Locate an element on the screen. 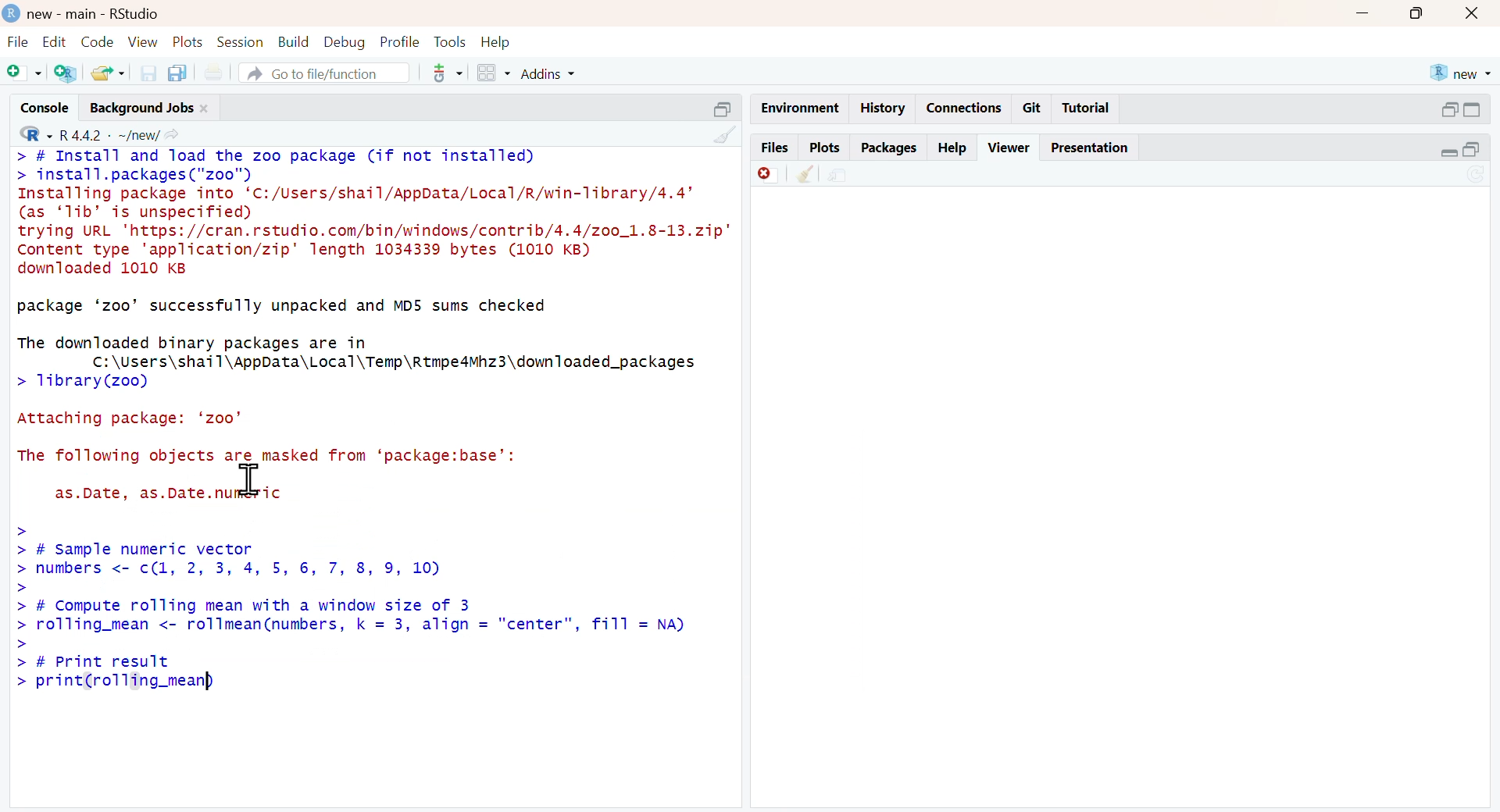  view is located at coordinates (144, 42).